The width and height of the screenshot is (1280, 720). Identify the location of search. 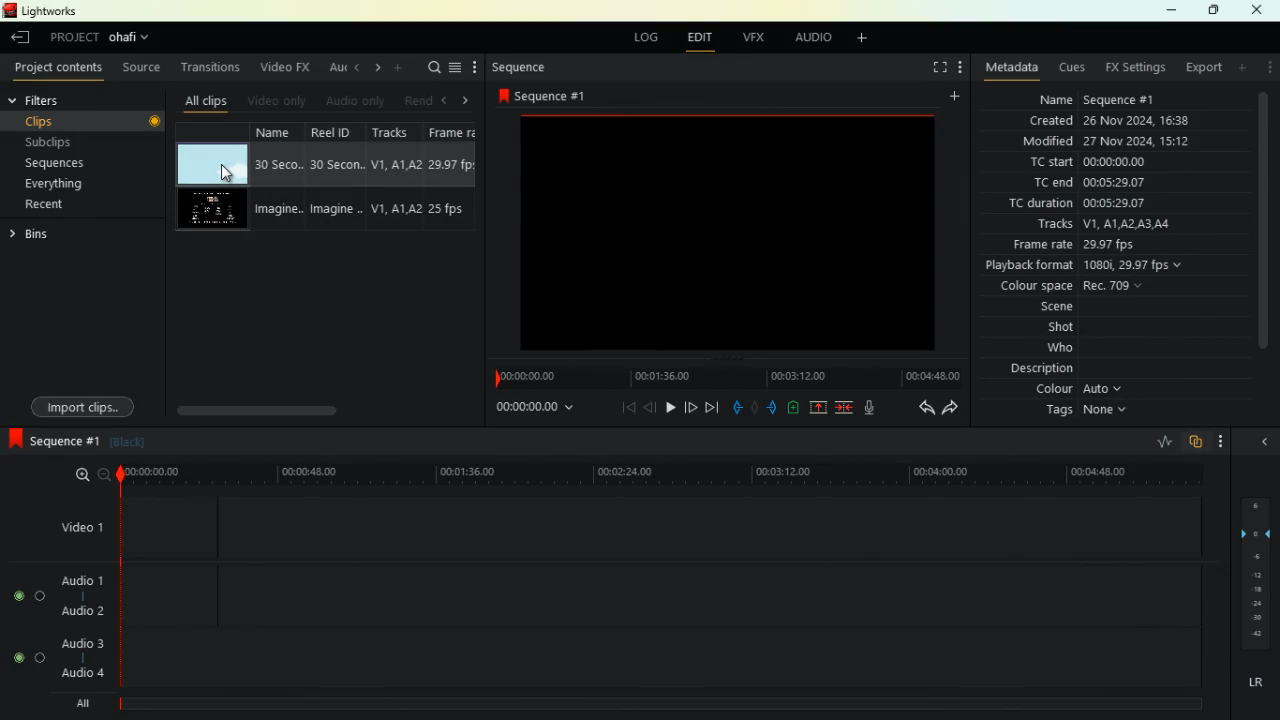
(432, 68).